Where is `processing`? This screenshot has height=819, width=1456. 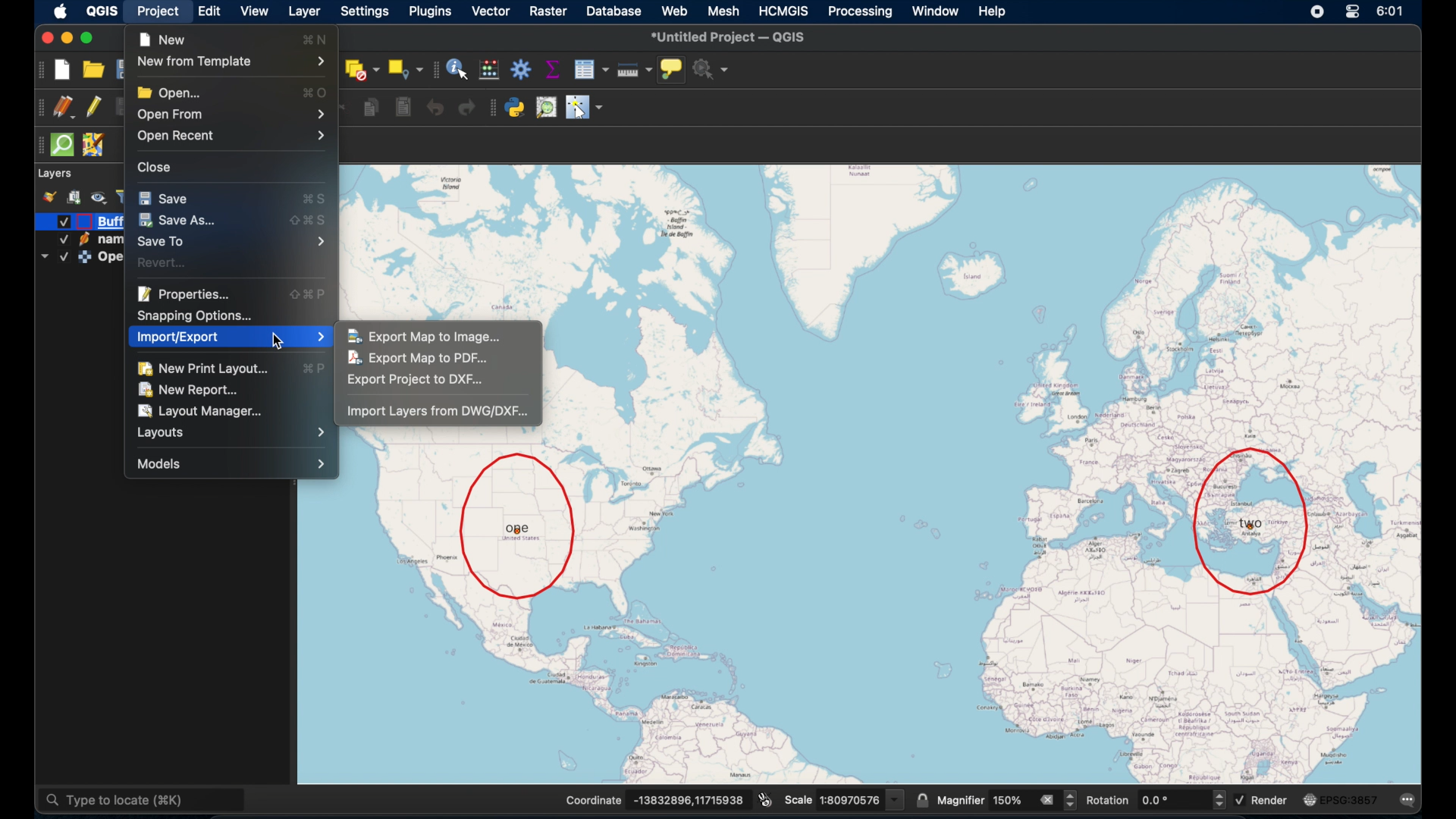
processing is located at coordinates (862, 11).